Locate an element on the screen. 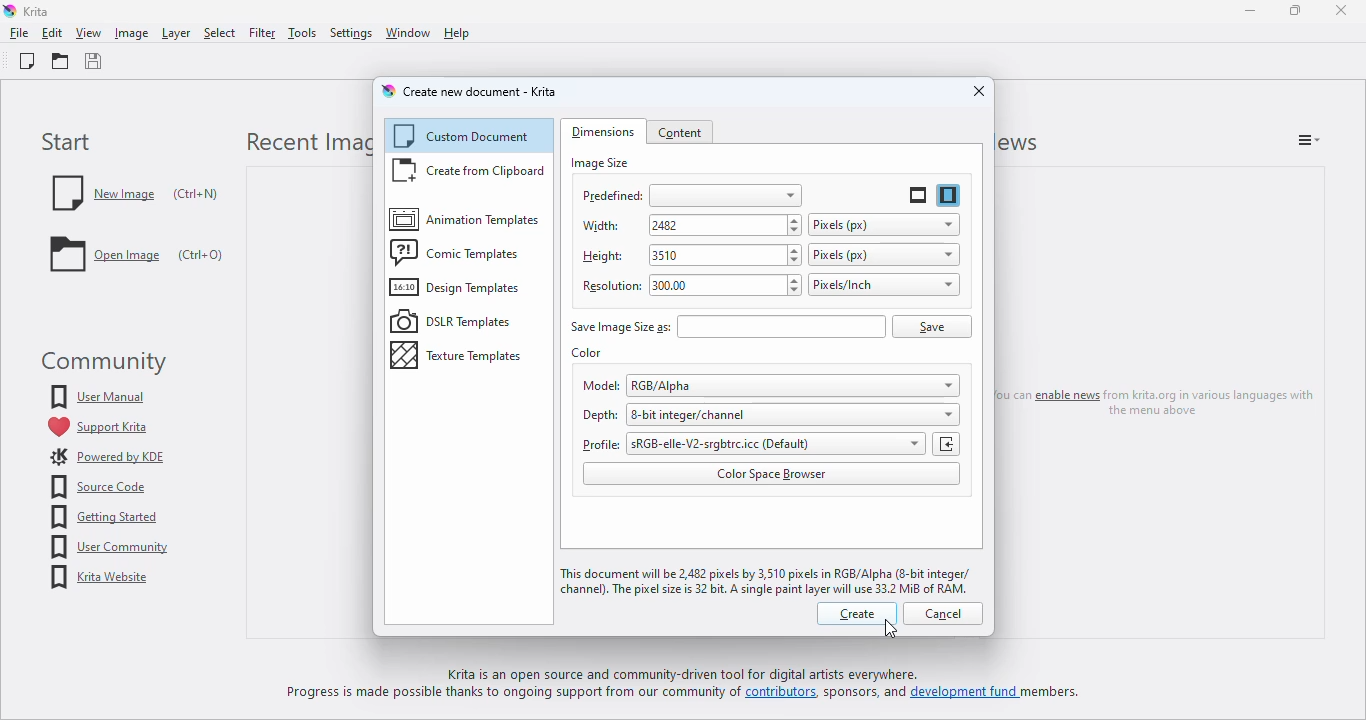 The width and height of the screenshot is (1366, 720). Progress is made possible thanks to ongoing support from our community of is located at coordinates (515, 695).